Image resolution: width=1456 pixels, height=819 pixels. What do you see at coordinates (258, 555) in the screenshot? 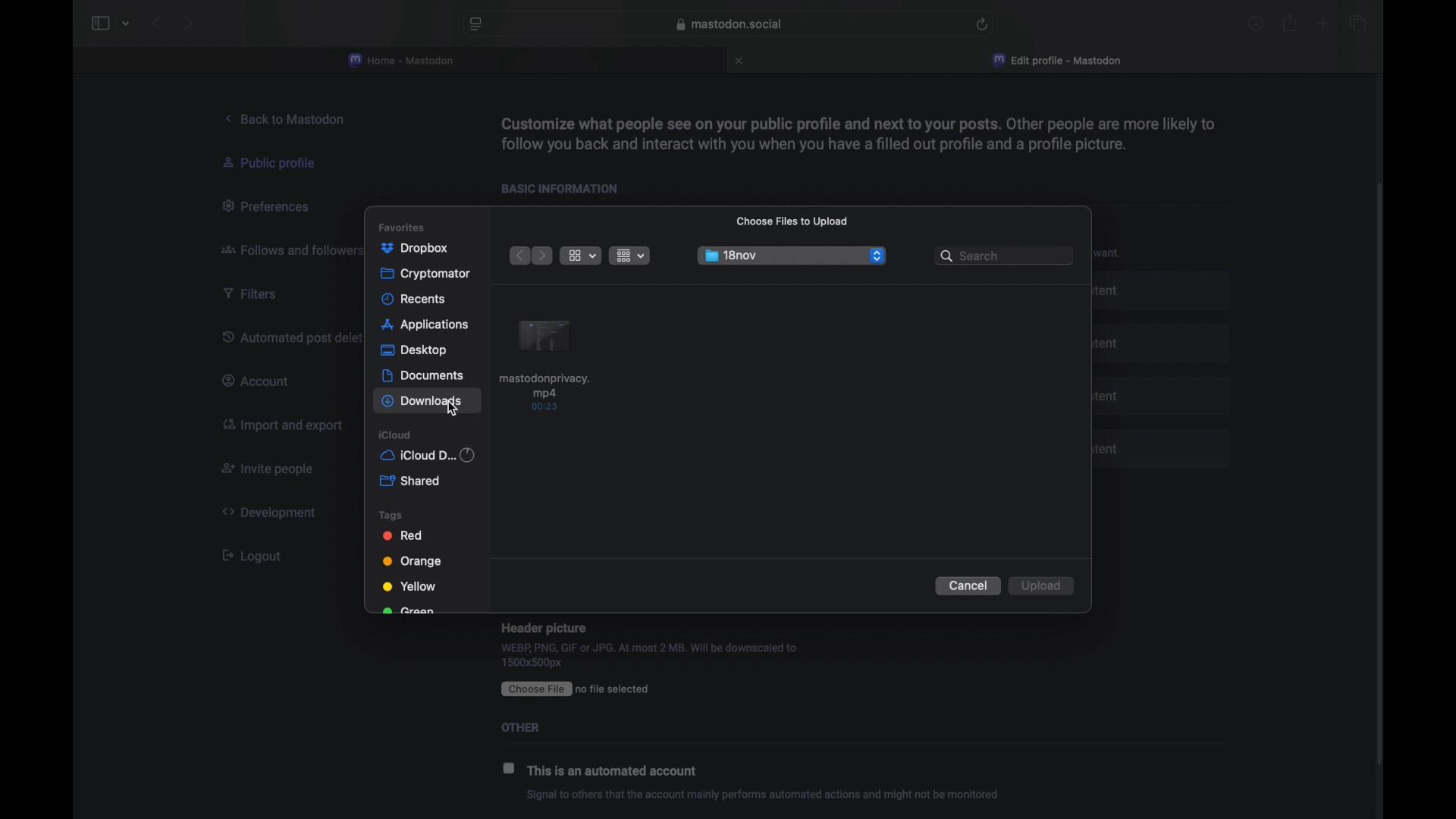
I see `[ Logout` at bounding box center [258, 555].